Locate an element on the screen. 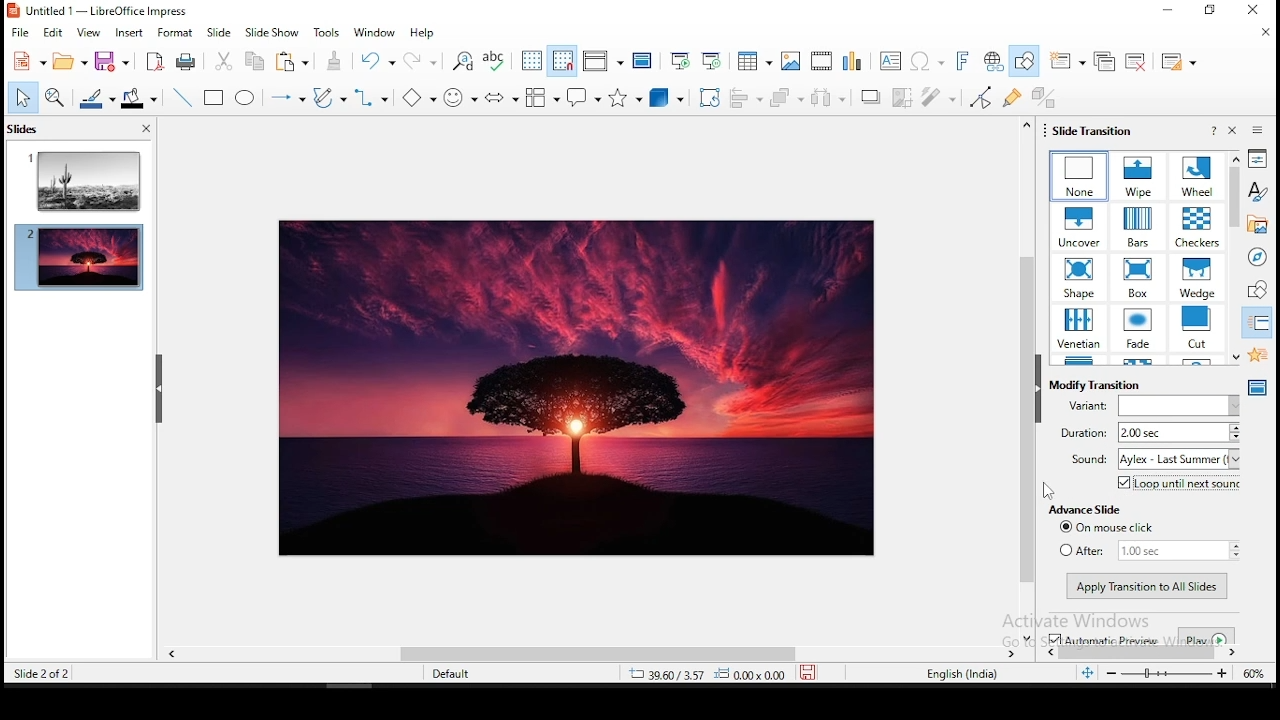 The height and width of the screenshot is (720, 1280). slide 1 is located at coordinates (81, 182).